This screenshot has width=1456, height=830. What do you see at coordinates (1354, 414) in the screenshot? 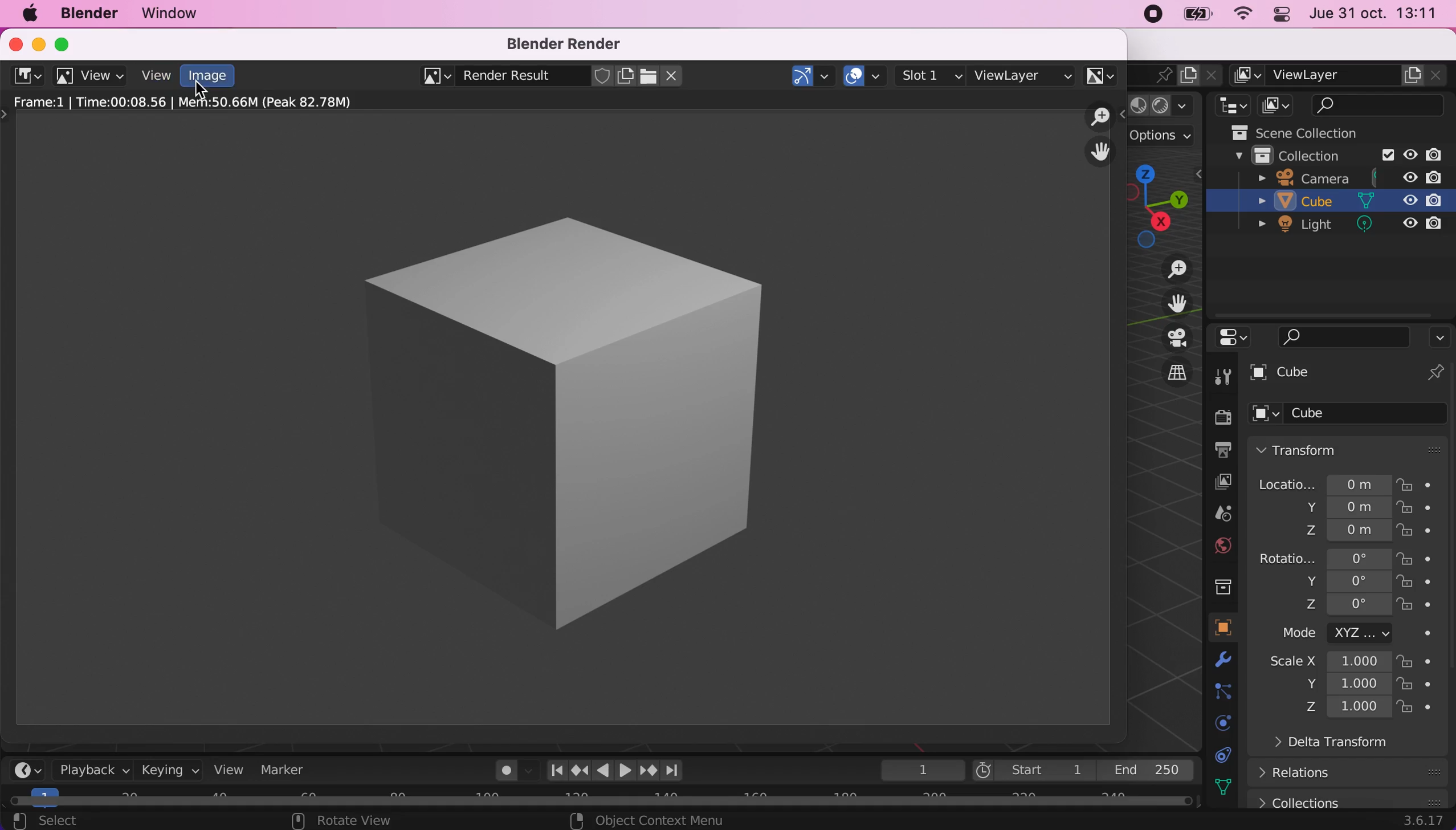
I see `cube options` at bounding box center [1354, 414].